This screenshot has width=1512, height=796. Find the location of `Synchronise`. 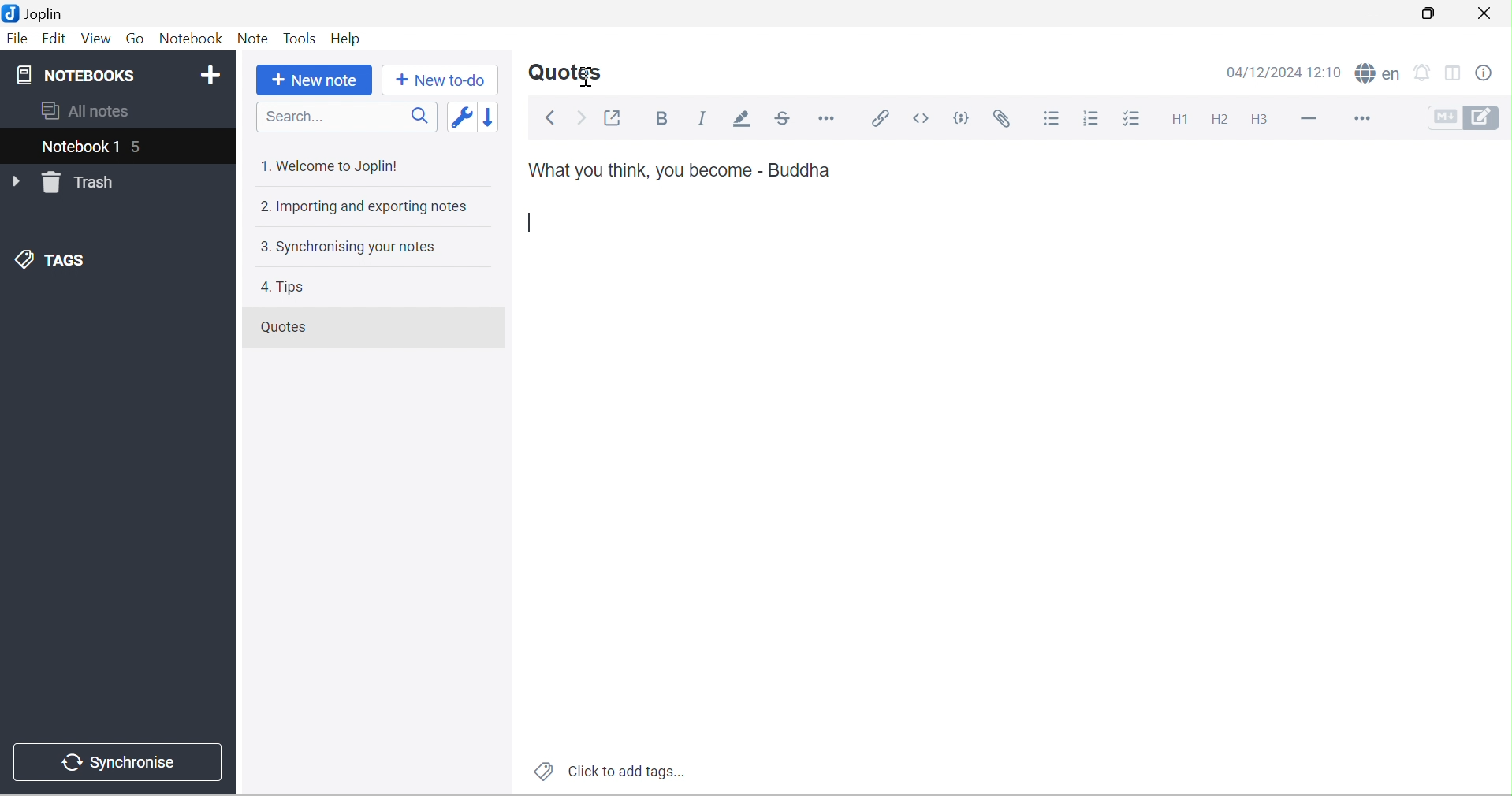

Synchronise is located at coordinates (122, 764).